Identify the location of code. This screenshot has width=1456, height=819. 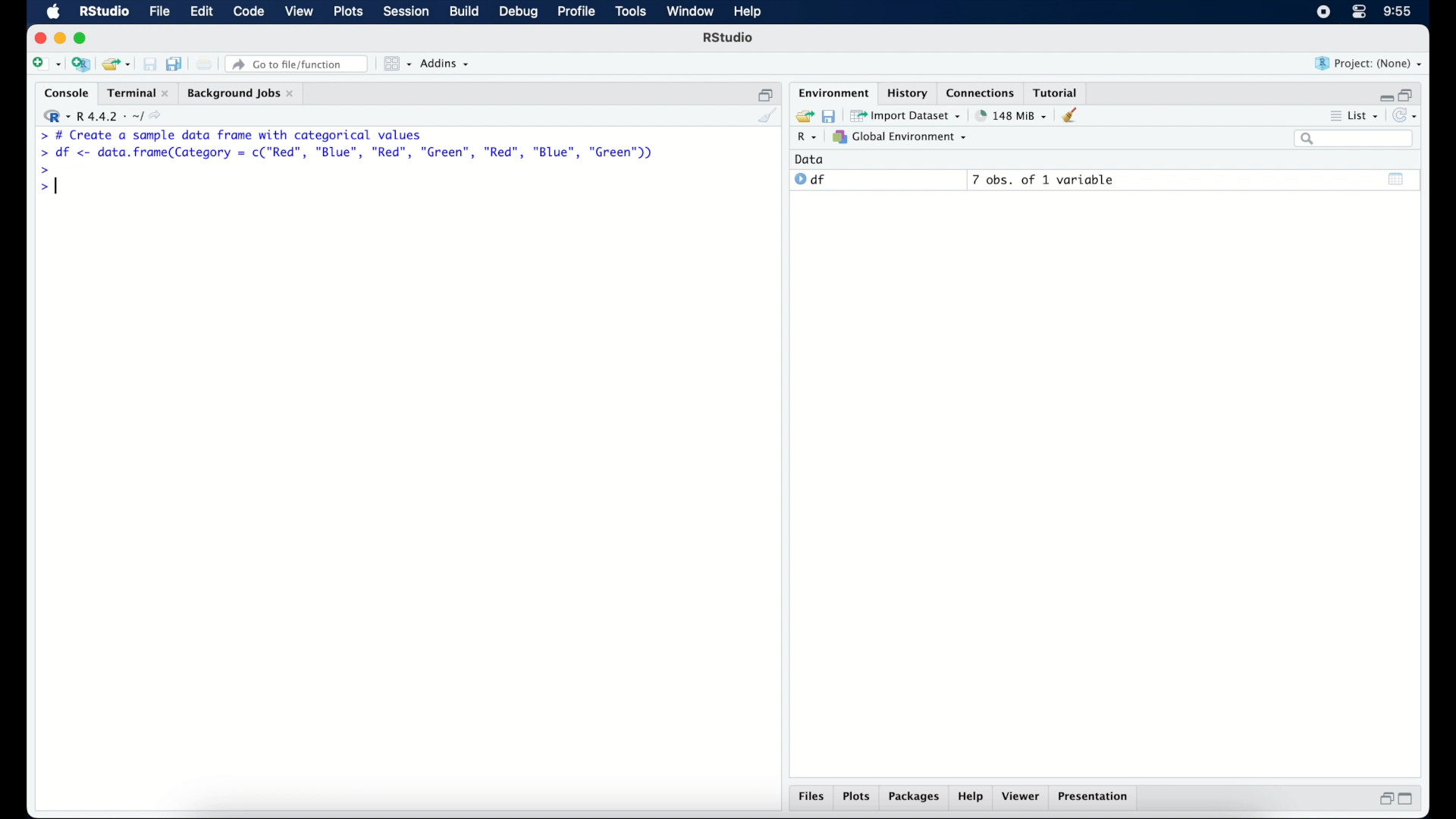
(249, 12).